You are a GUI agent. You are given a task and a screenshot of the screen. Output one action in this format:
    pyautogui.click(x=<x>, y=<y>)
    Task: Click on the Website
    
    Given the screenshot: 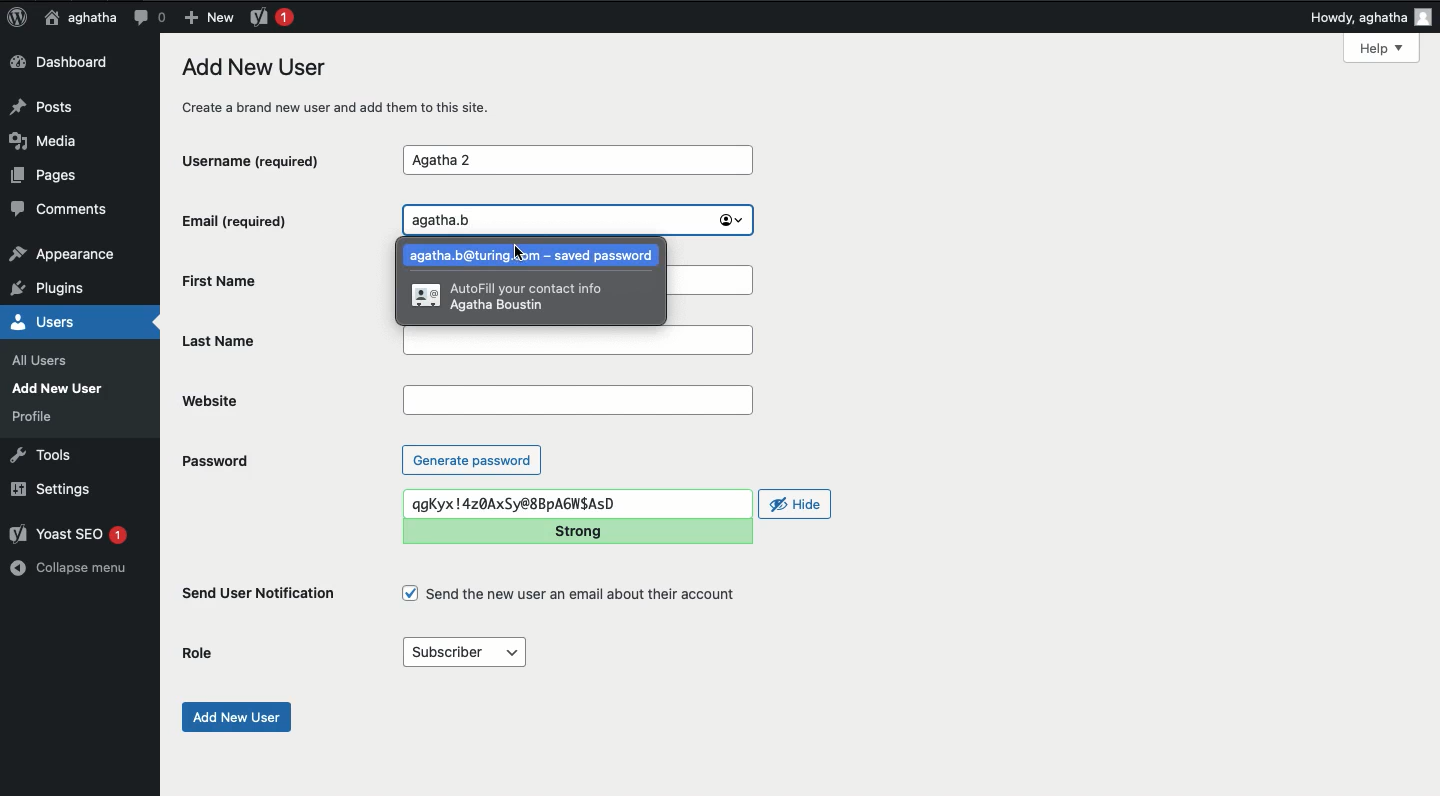 What is the action you would take?
    pyautogui.click(x=577, y=401)
    